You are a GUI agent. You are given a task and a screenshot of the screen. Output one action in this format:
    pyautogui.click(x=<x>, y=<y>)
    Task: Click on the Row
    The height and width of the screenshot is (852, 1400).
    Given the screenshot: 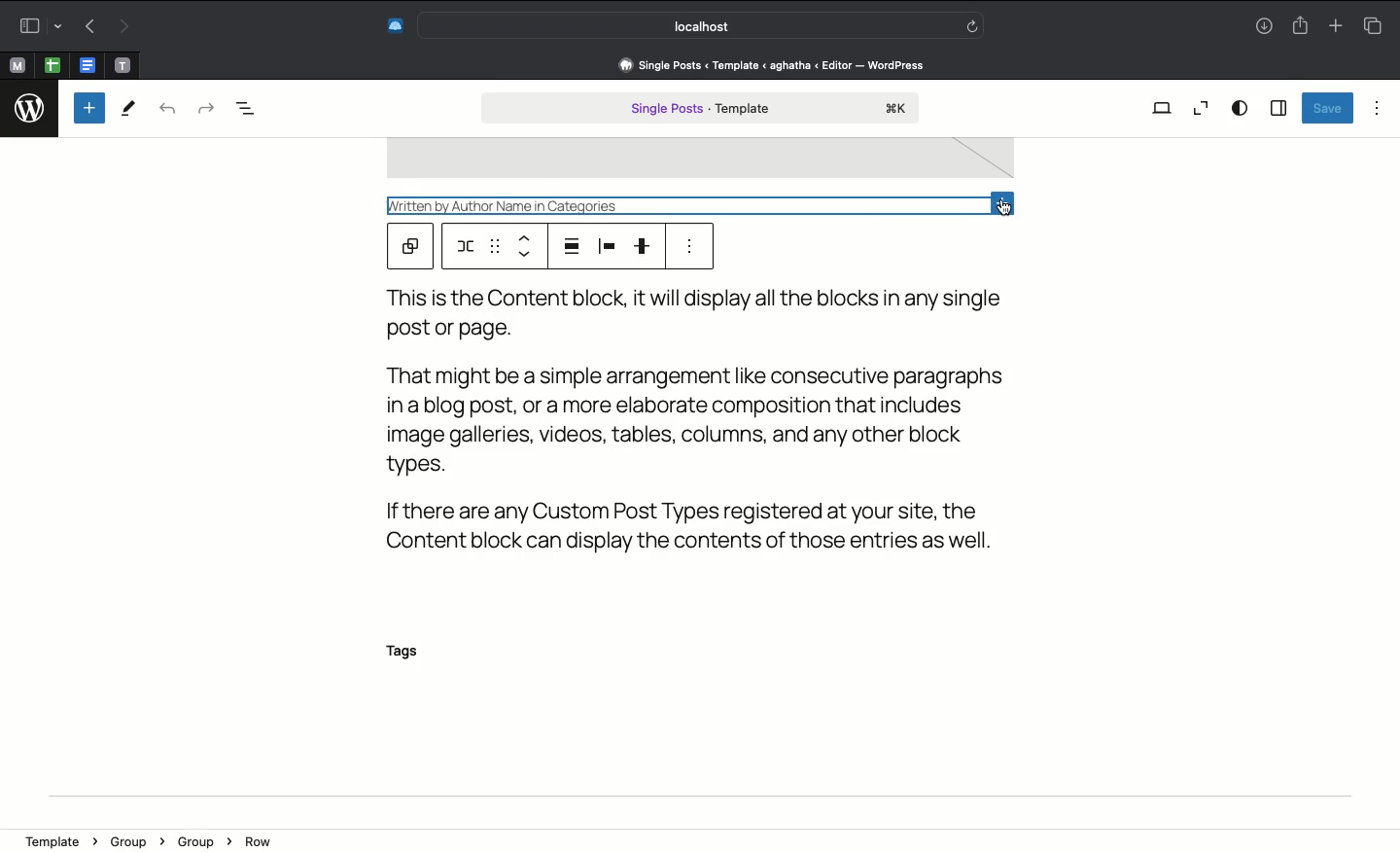 What is the action you would take?
    pyautogui.click(x=260, y=841)
    